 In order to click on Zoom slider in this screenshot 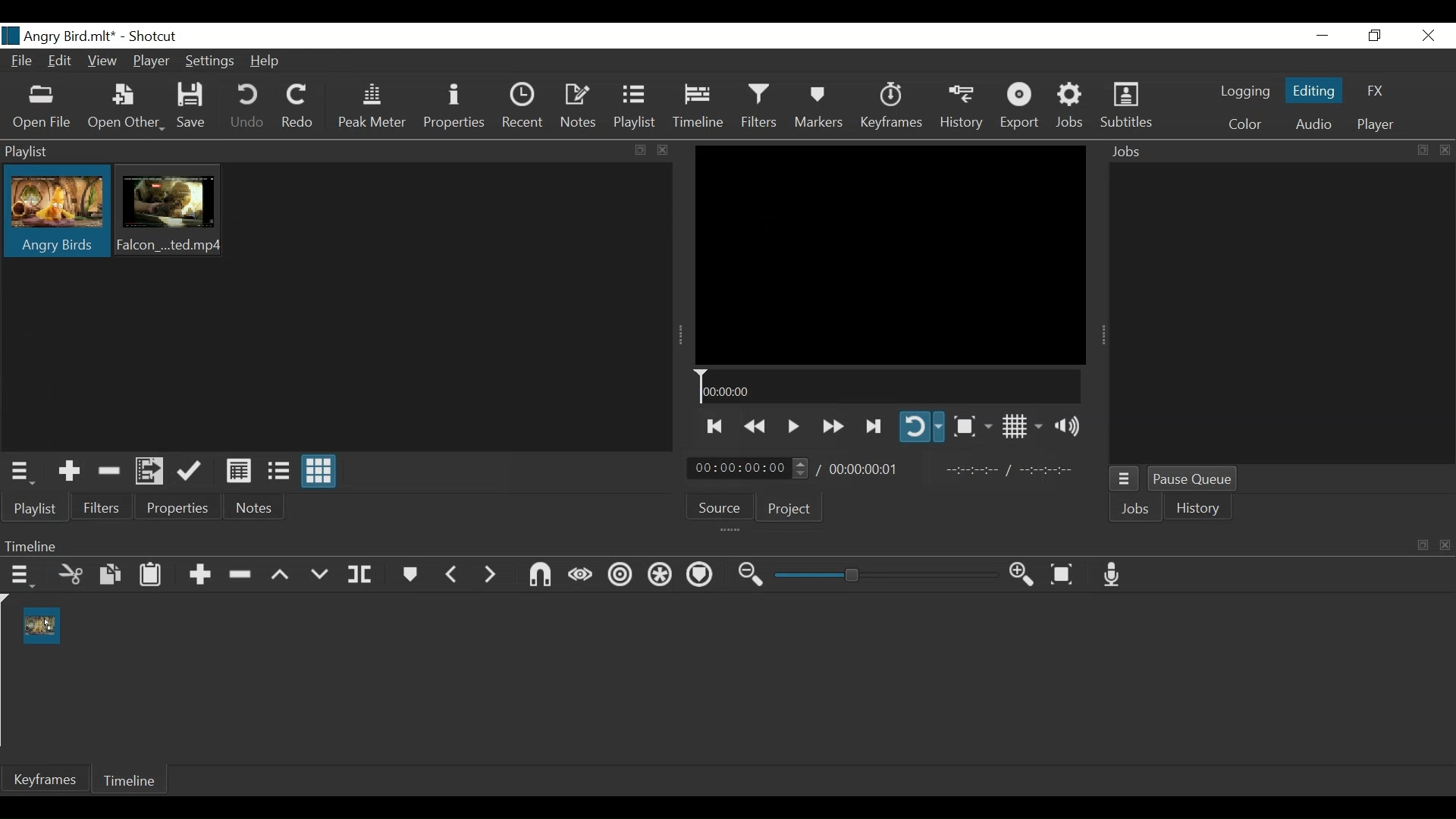, I will do `click(883, 577)`.